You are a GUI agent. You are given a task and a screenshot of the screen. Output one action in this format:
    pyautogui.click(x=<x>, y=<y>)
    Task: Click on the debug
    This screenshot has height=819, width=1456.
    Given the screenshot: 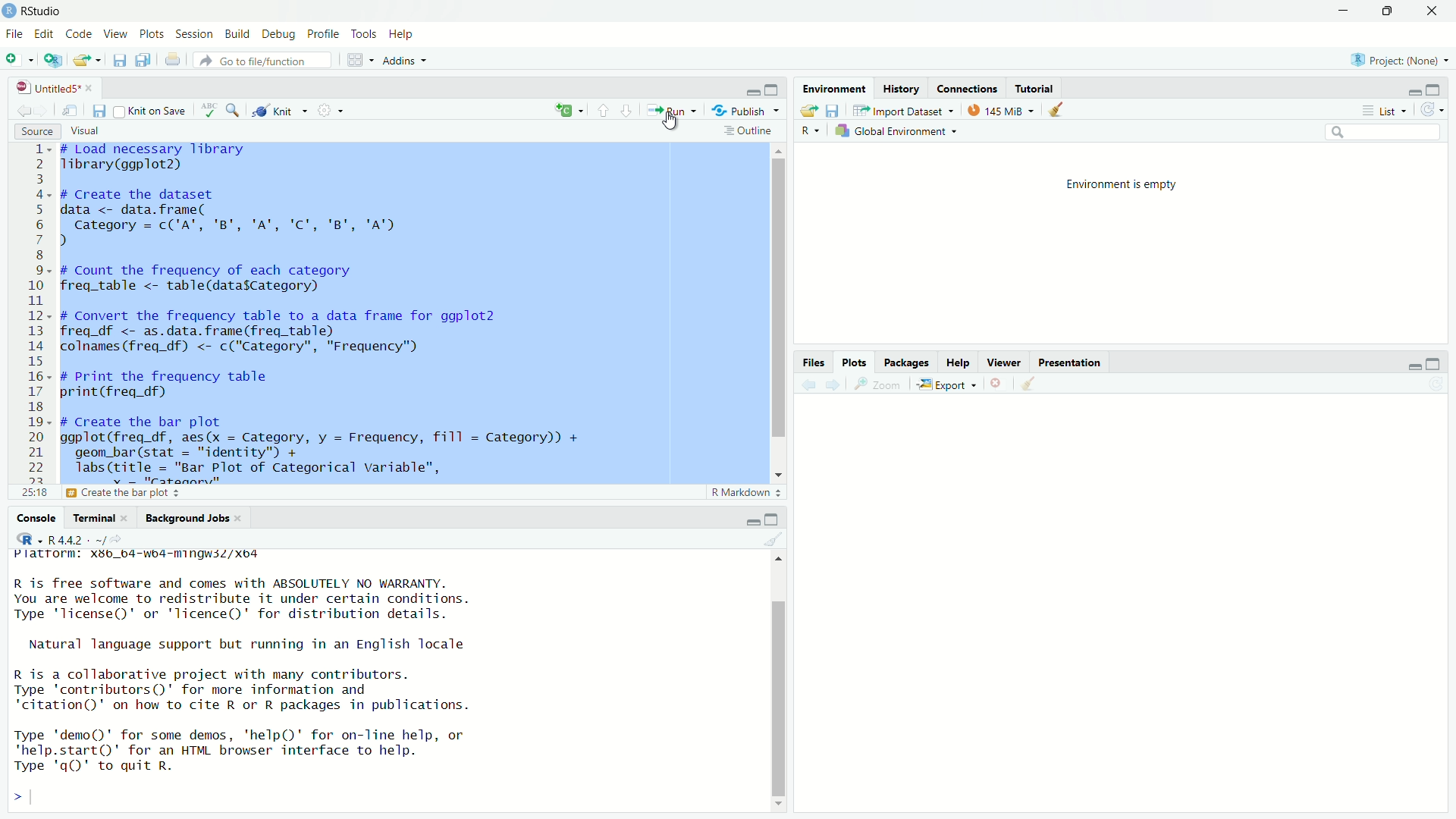 What is the action you would take?
    pyautogui.click(x=278, y=36)
    